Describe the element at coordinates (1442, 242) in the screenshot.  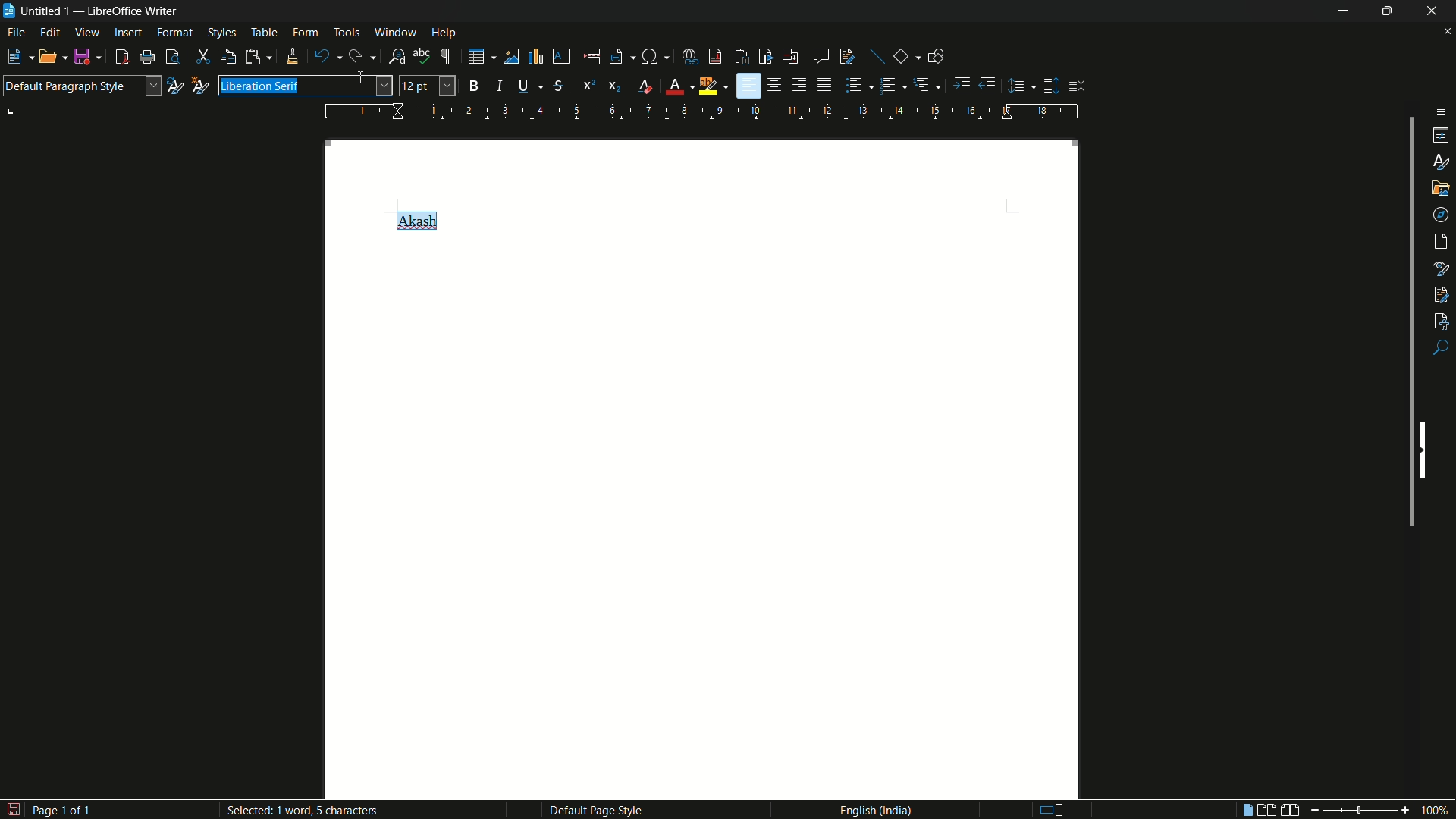
I see `page` at that location.